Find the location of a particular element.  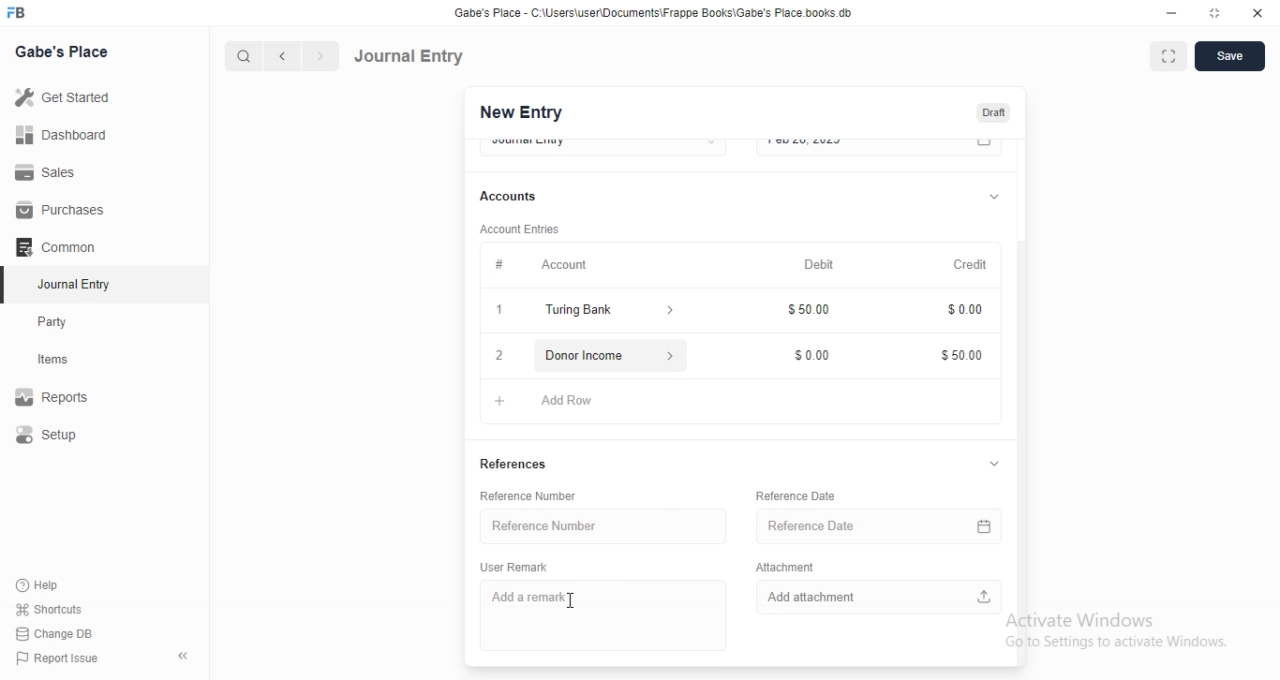

collapse is located at coordinates (994, 194).